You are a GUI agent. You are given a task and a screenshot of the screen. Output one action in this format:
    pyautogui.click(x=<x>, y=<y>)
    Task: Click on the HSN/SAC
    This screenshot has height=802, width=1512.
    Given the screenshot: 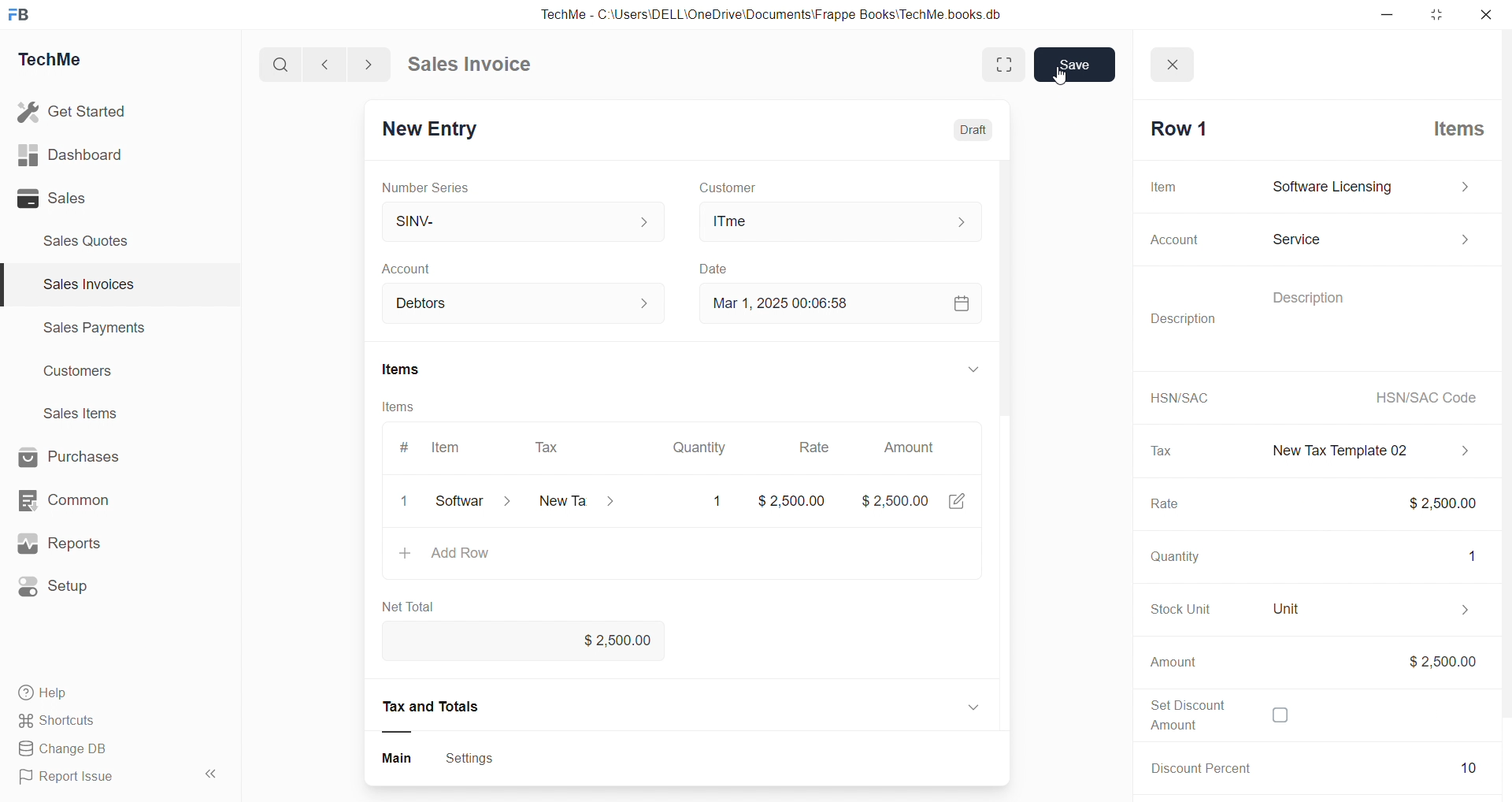 What is the action you would take?
    pyautogui.click(x=1176, y=397)
    